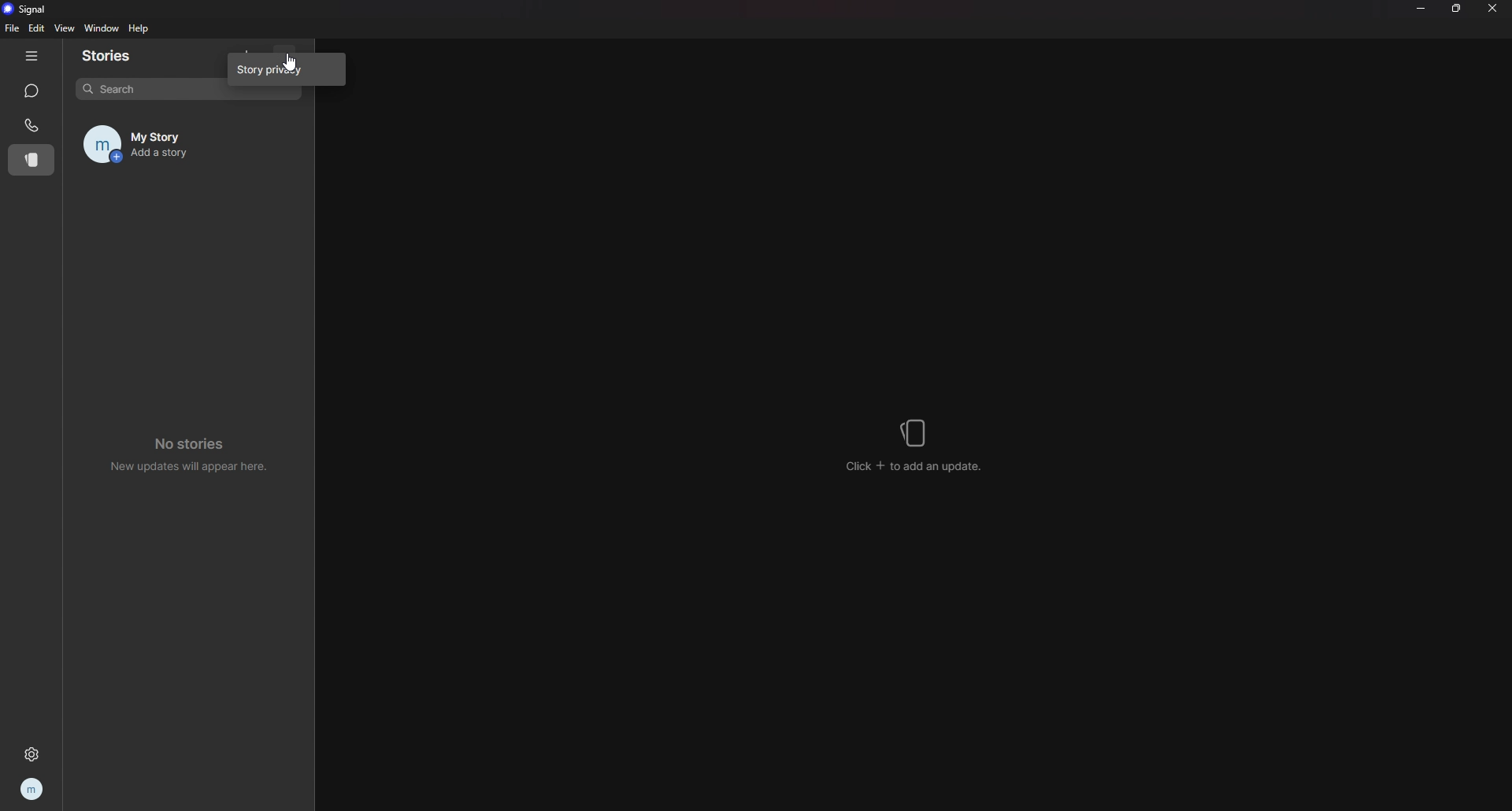 Image resolution: width=1512 pixels, height=811 pixels. Describe the element at coordinates (31, 56) in the screenshot. I see `hide tab` at that location.